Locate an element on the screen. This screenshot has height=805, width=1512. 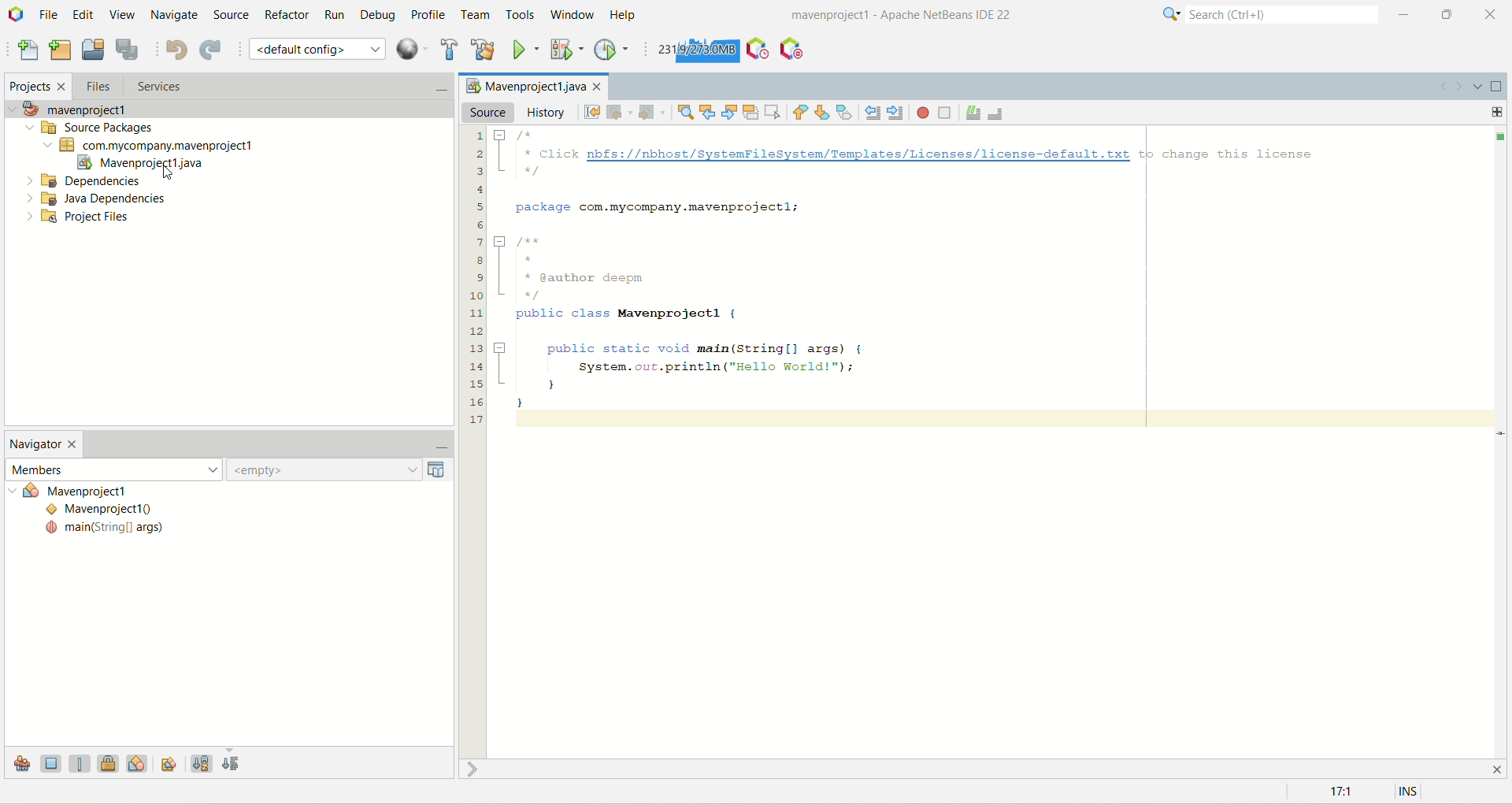
view is located at coordinates (119, 13).